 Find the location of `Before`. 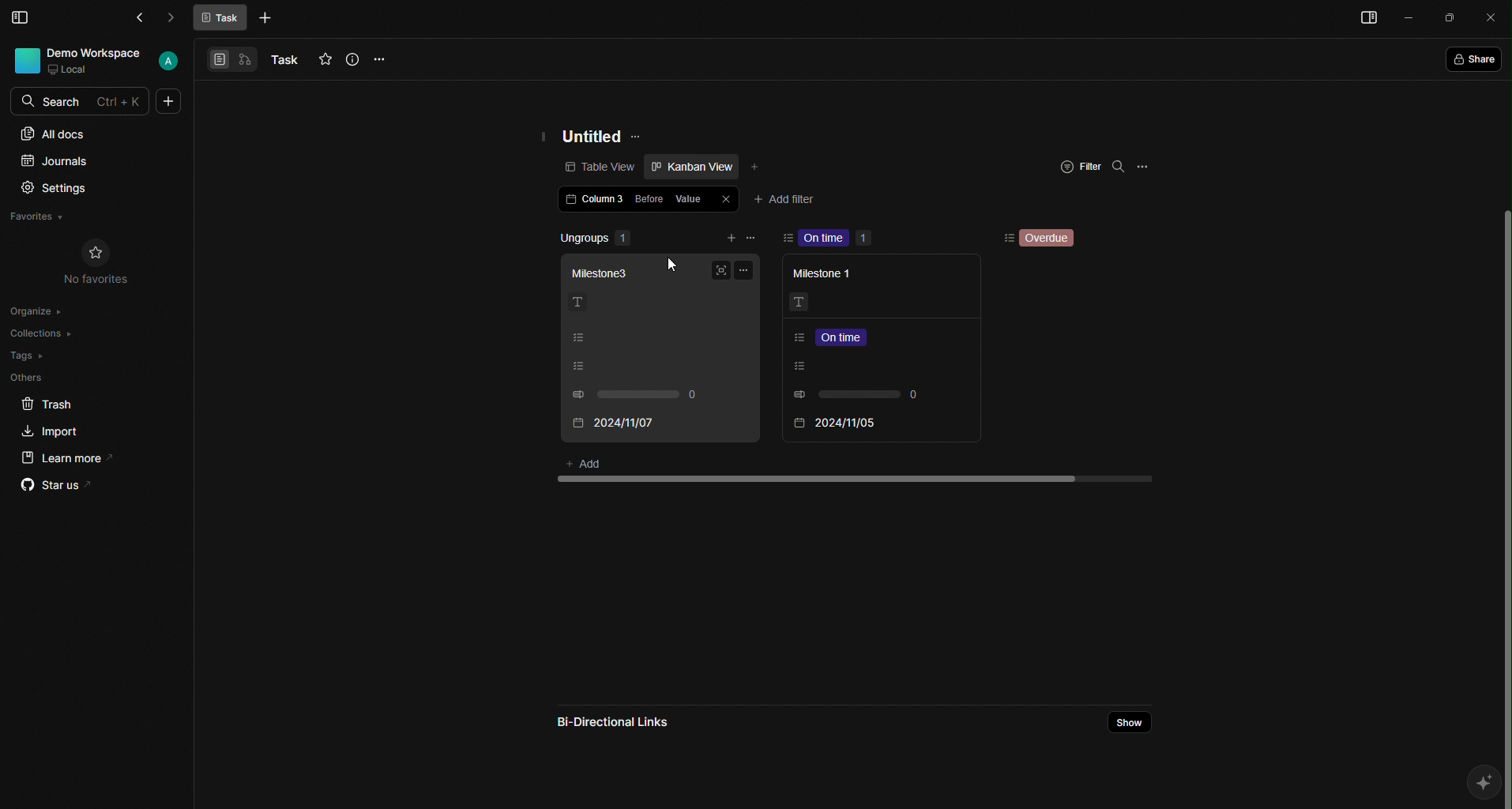

Before is located at coordinates (649, 198).